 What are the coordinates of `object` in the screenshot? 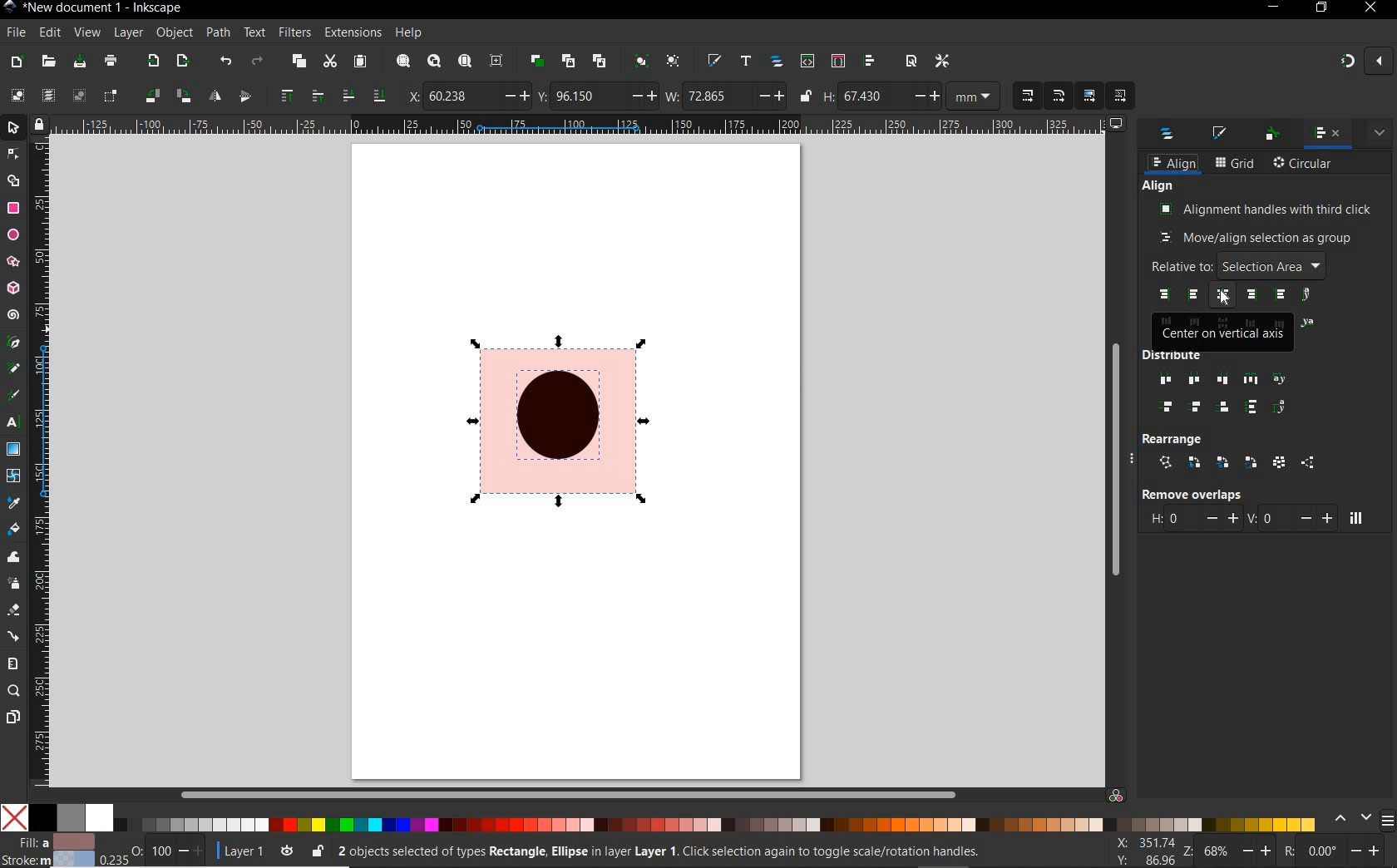 It's located at (174, 32).